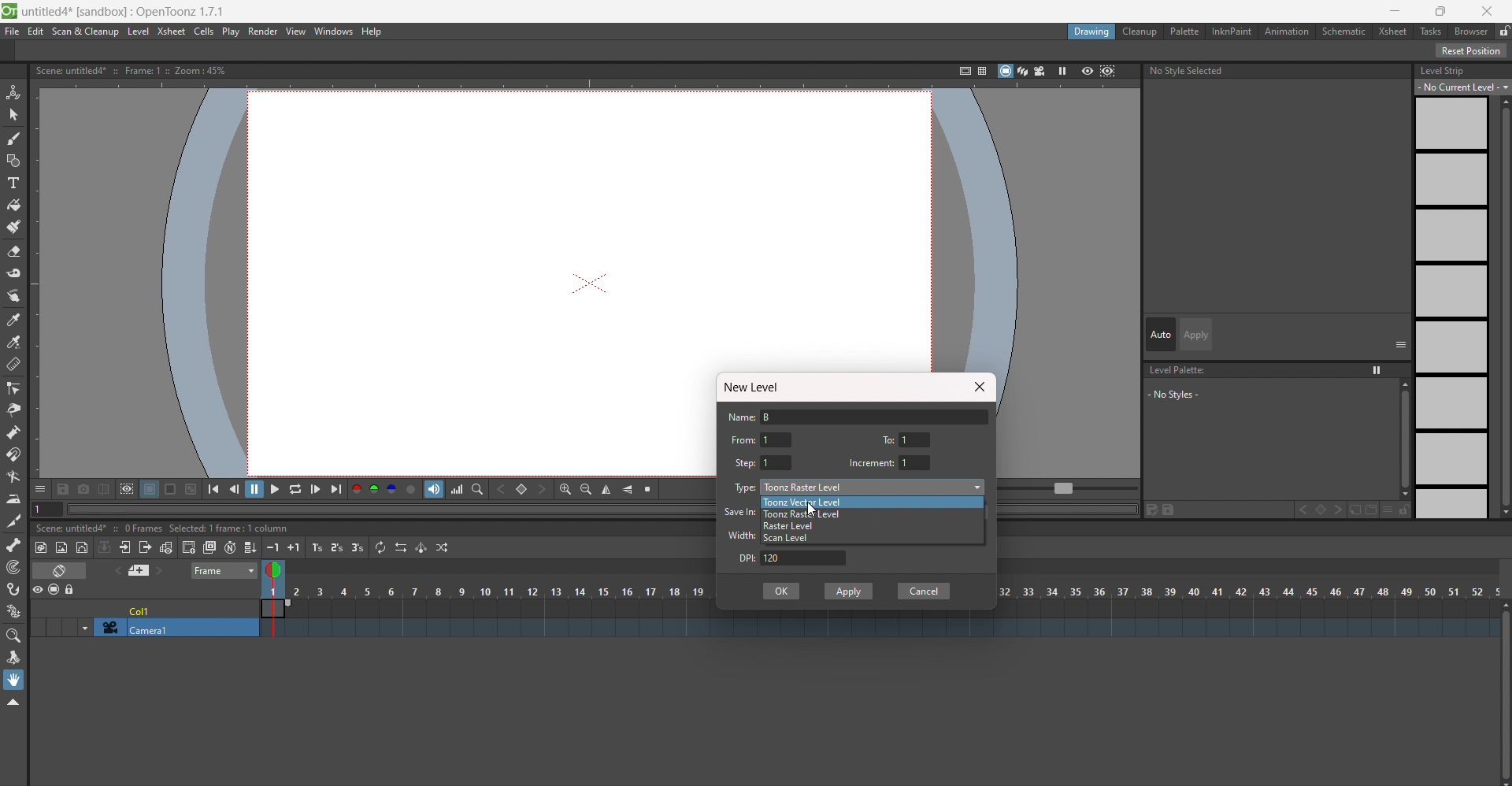  What do you see at coordinates (1162, 510) in the screenshot?
I see `edit` at bounding box center [1162, 510].